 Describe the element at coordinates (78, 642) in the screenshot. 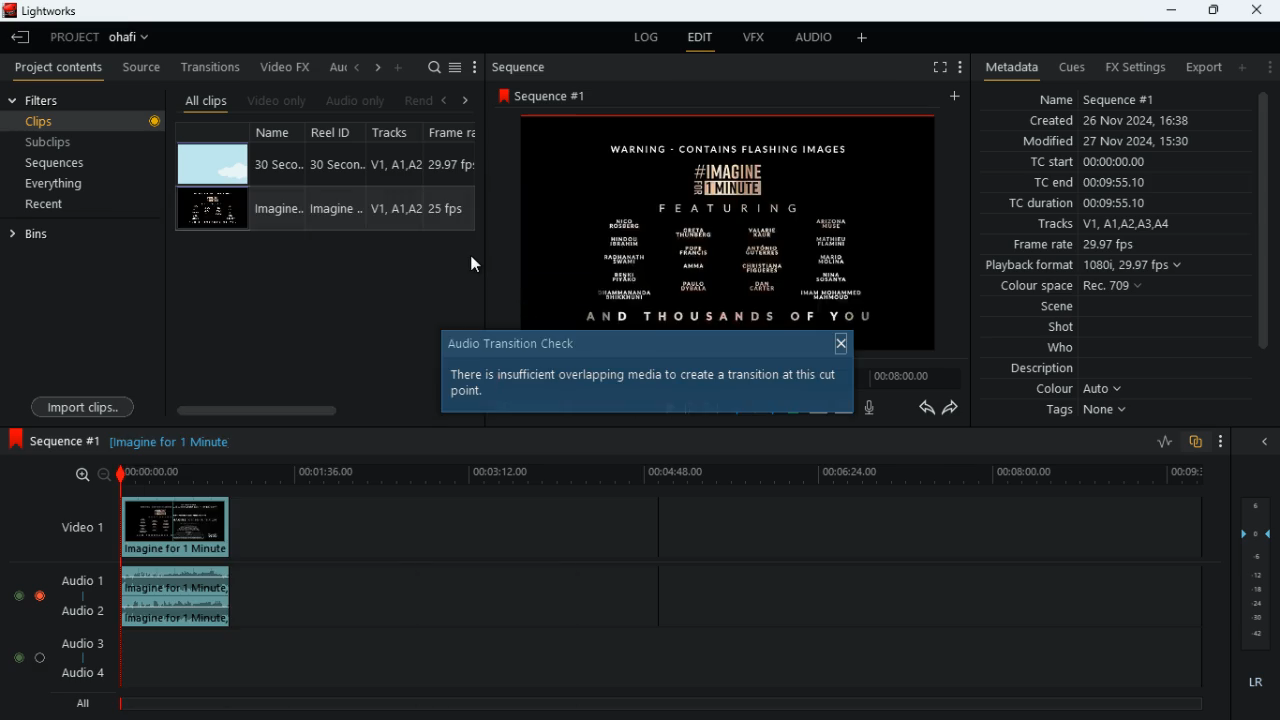

I see `audio 3` at that location.